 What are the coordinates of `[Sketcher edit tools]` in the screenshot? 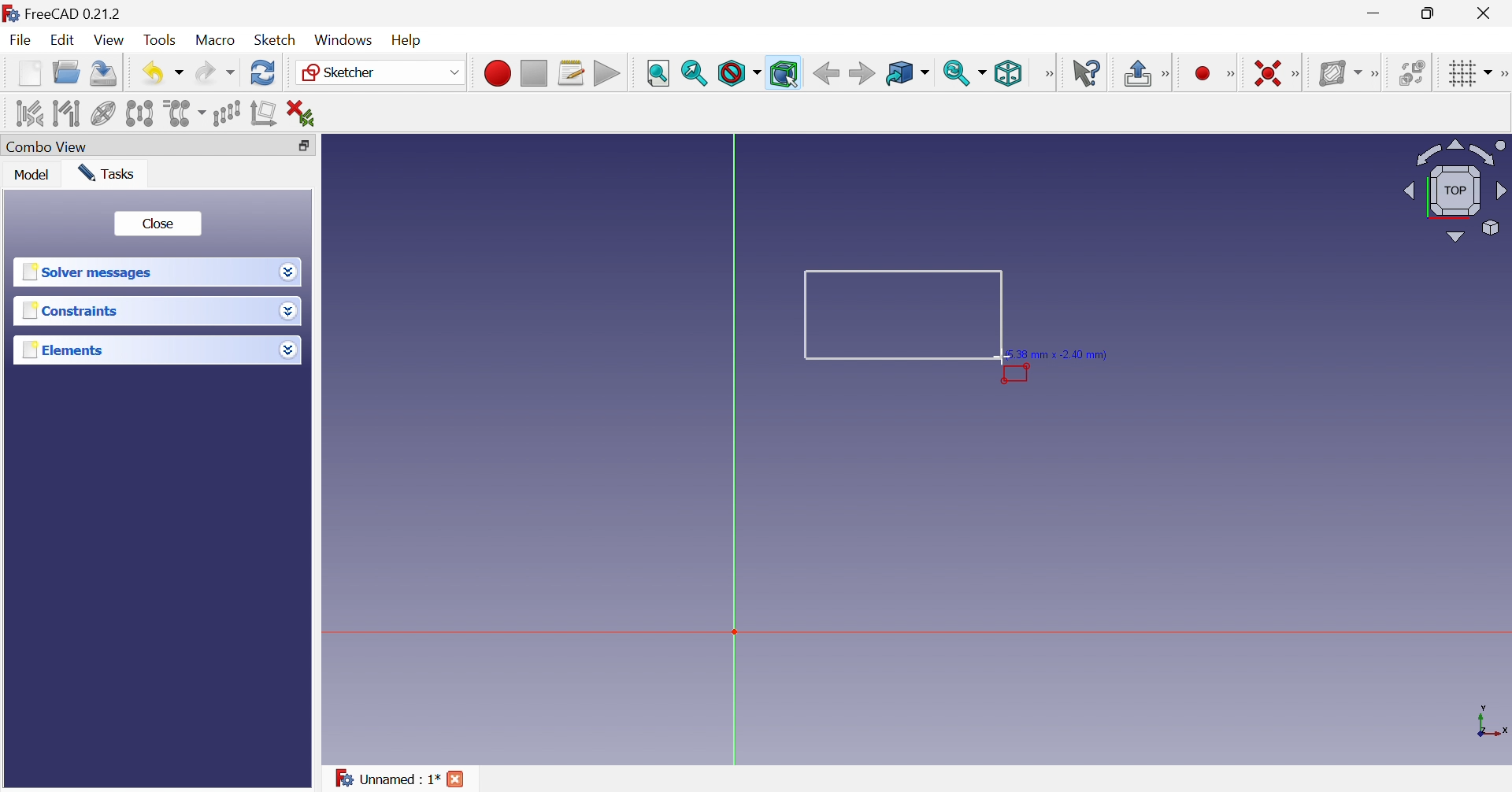 It's located at (1503, 73).